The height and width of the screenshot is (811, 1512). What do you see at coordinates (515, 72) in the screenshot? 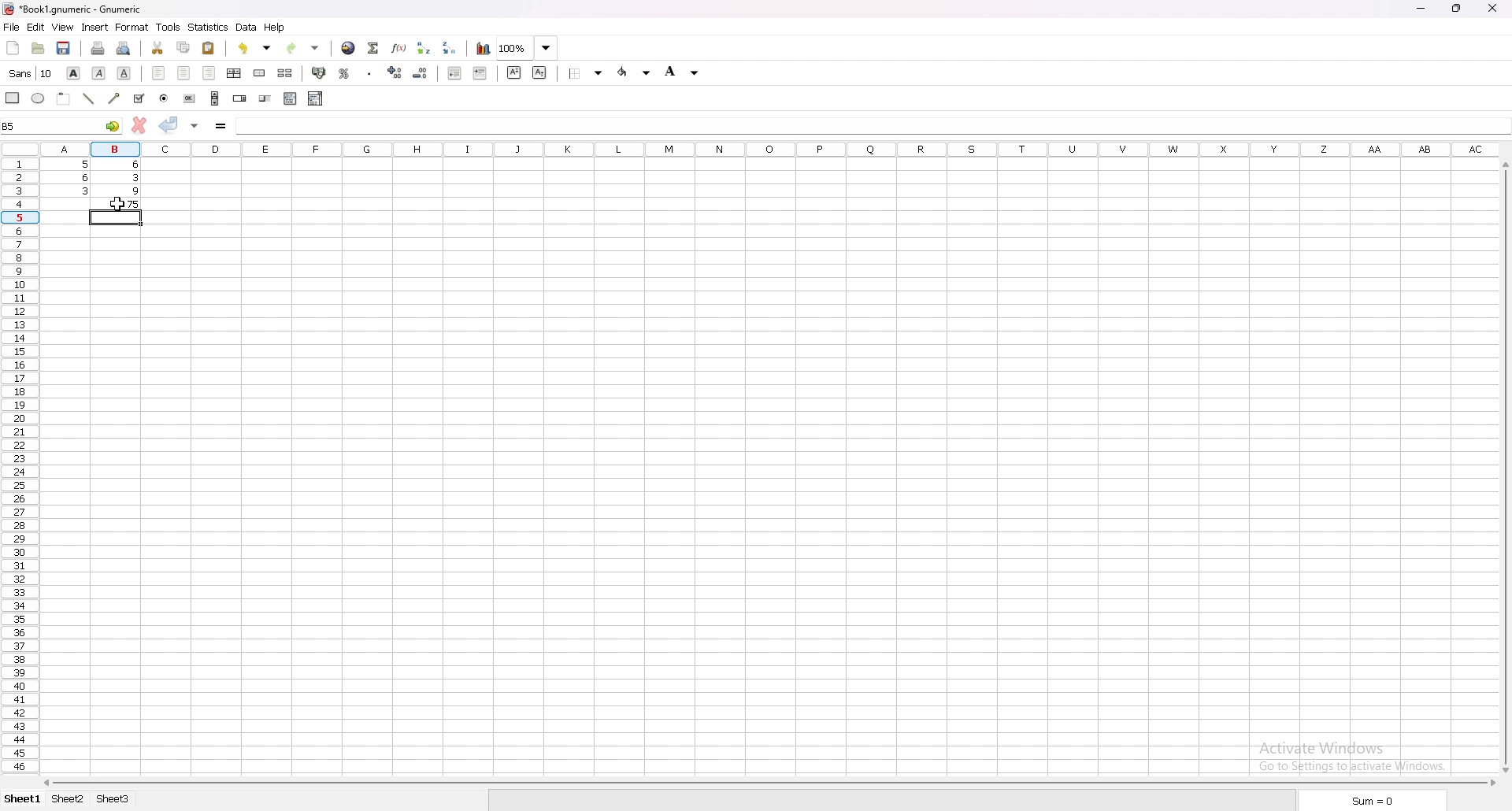
I see `superscript` at bounding box center [515, 72].